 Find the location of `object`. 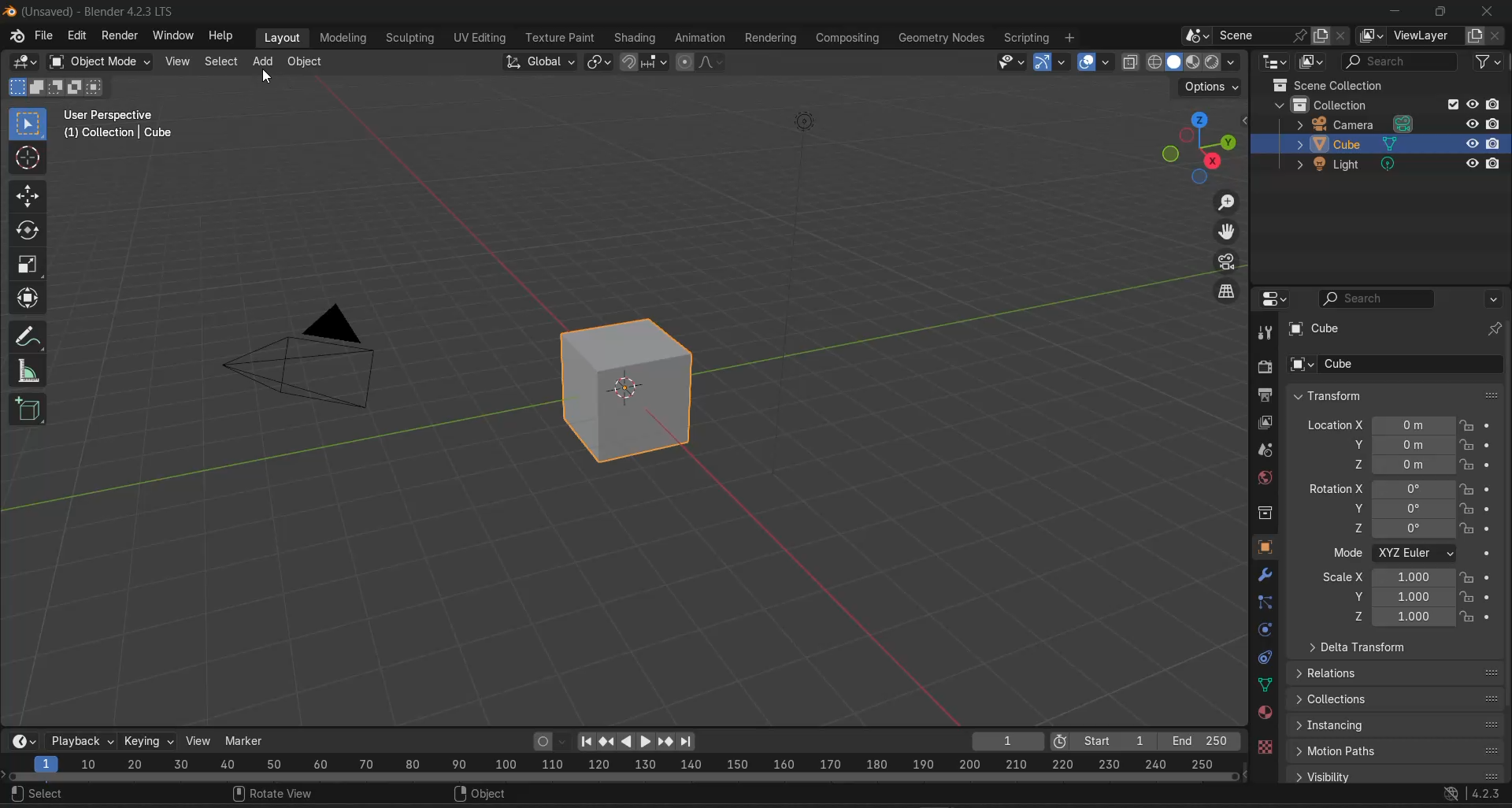

object is located at coordinates (488, 795).